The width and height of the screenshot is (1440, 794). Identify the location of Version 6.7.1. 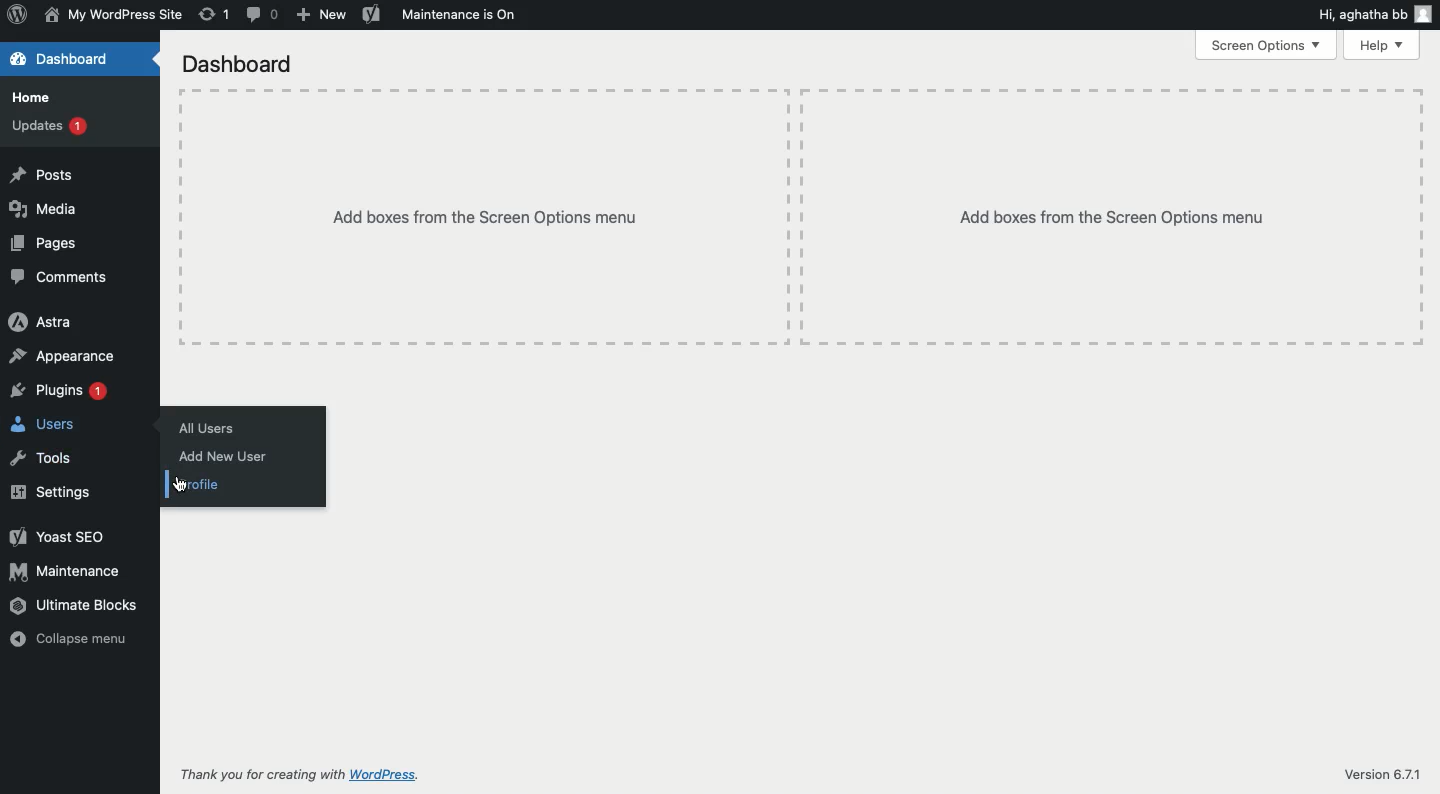
(1381, 773).